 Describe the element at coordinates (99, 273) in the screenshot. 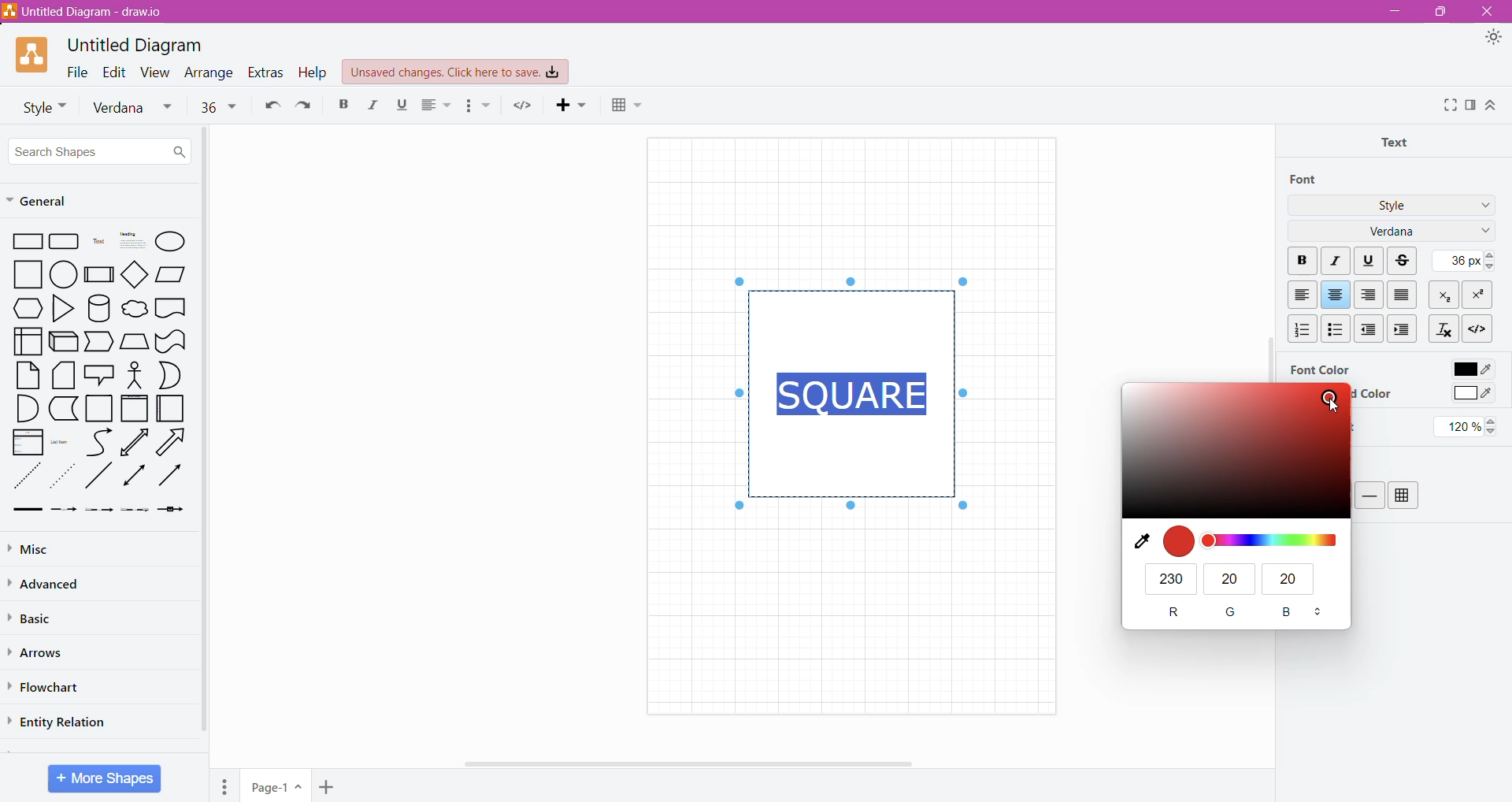

I see `Subprocess` at that location.